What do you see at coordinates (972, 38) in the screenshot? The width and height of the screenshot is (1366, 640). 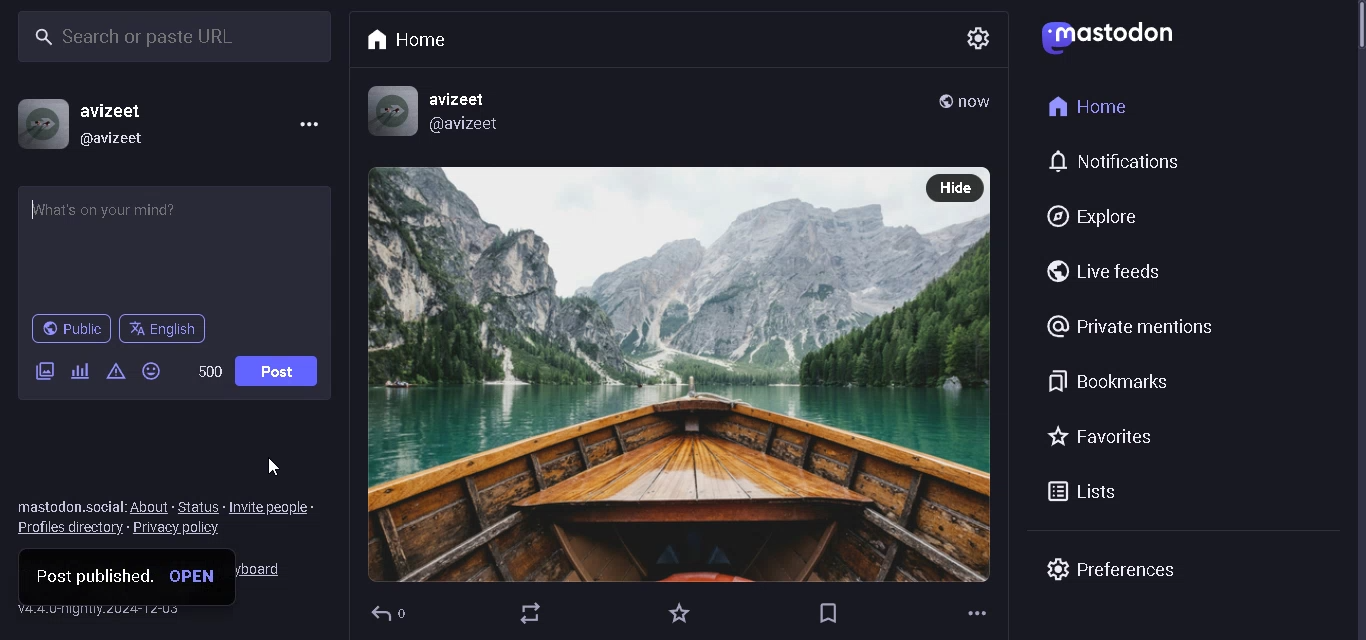 I see `settings` at bounding box center [972, 38].